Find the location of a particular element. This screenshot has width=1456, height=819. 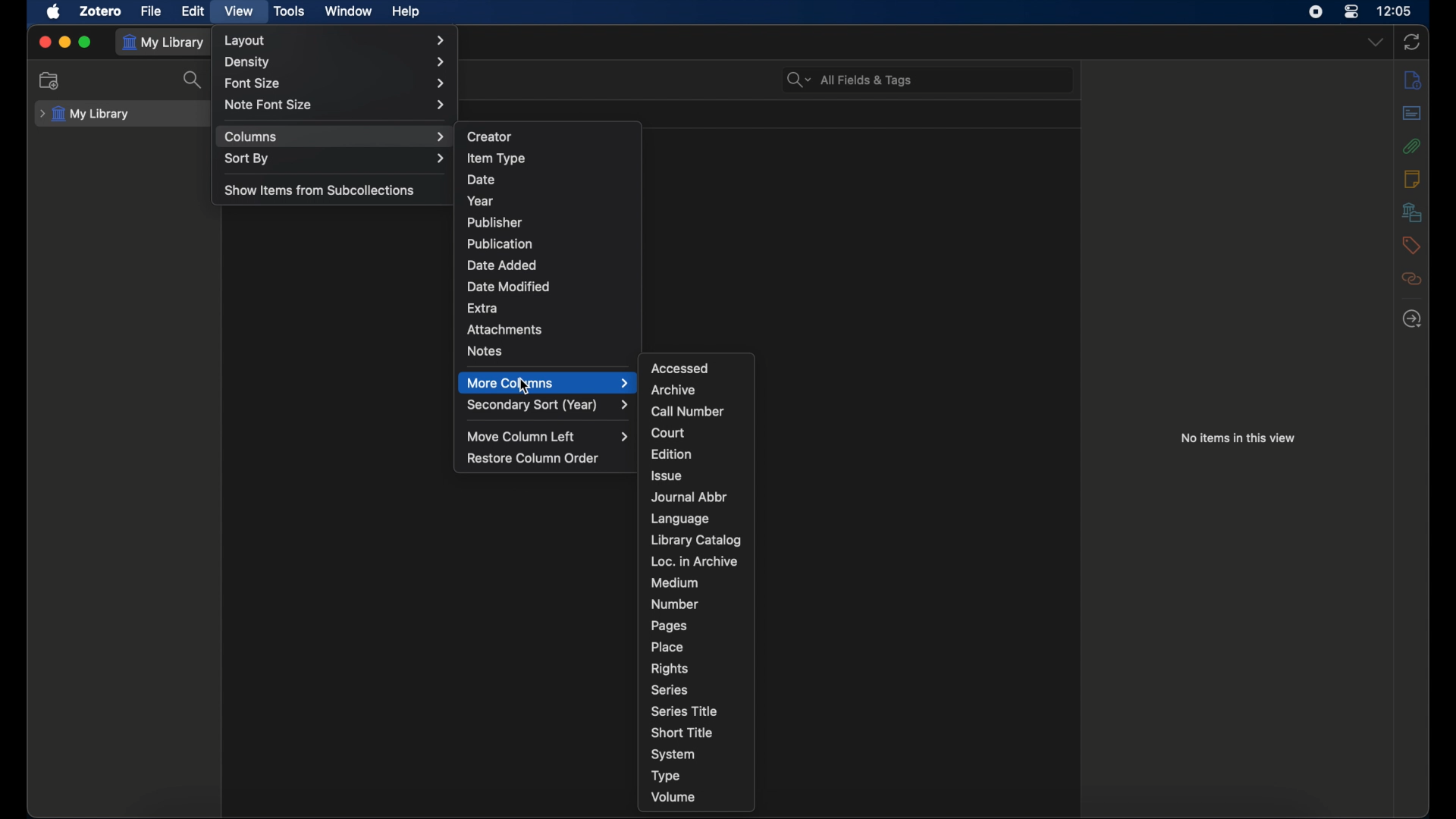

tools is located at coordinates (290, 11).